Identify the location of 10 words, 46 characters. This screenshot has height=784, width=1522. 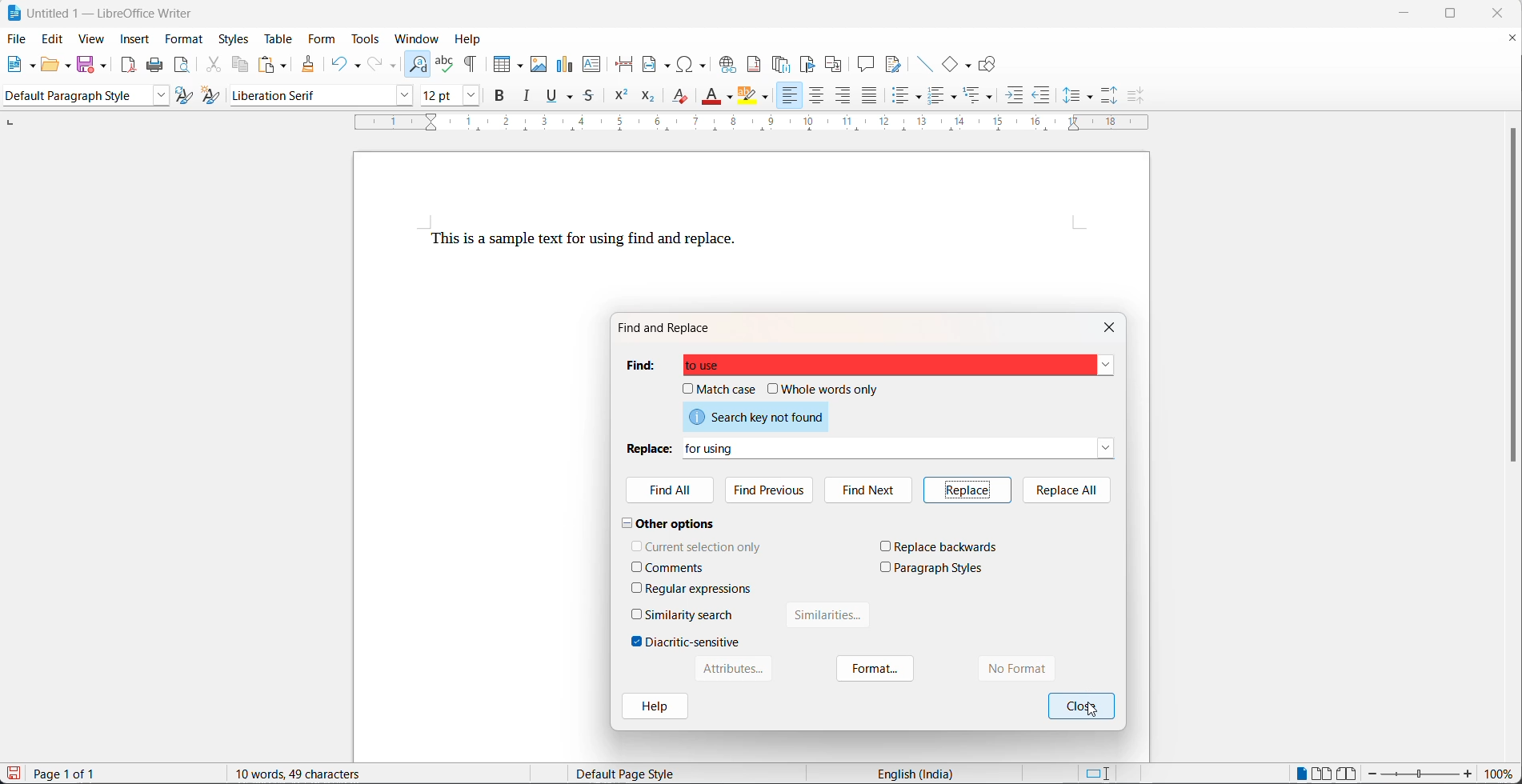
(318, 773).